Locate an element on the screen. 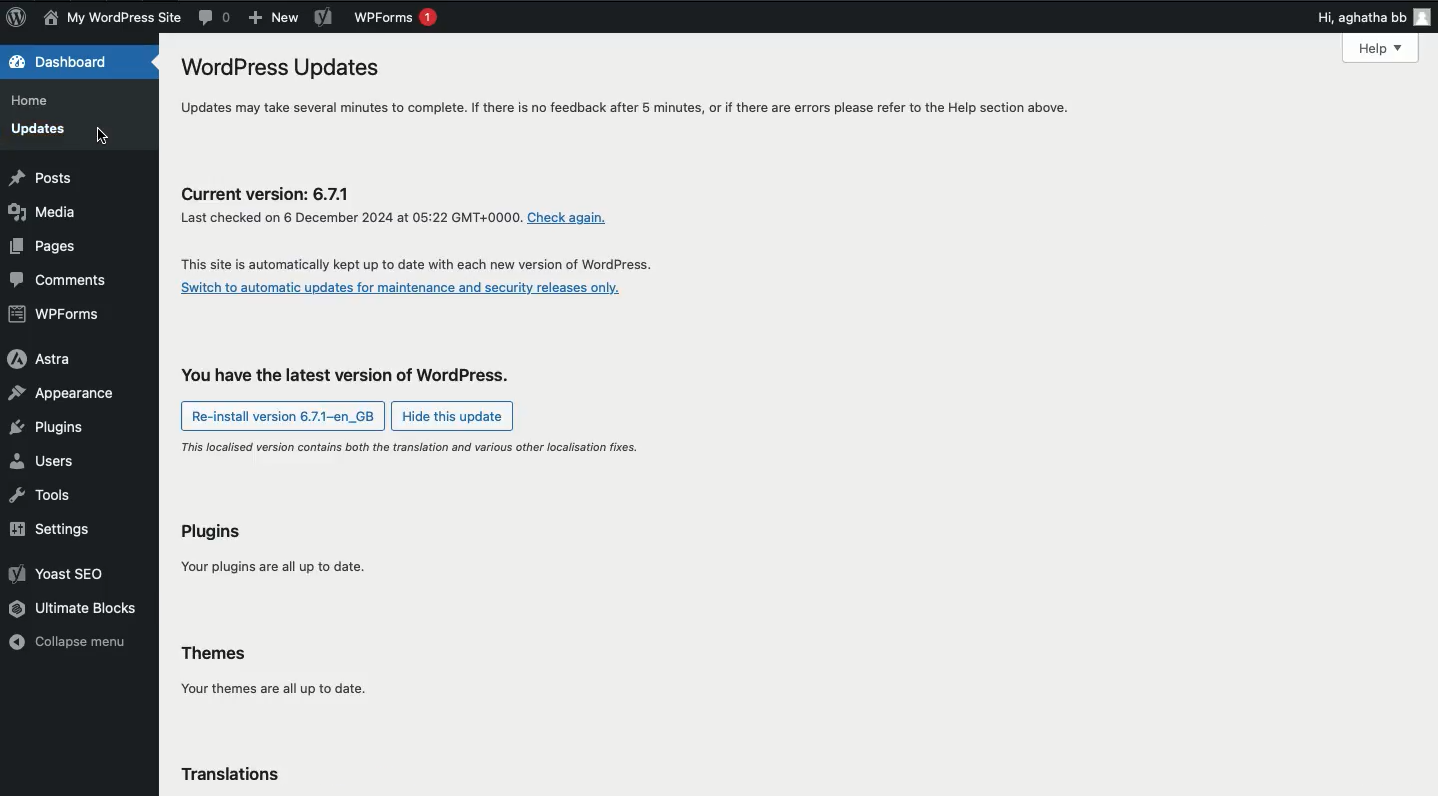  Comment is located at coordinates (214, 17).